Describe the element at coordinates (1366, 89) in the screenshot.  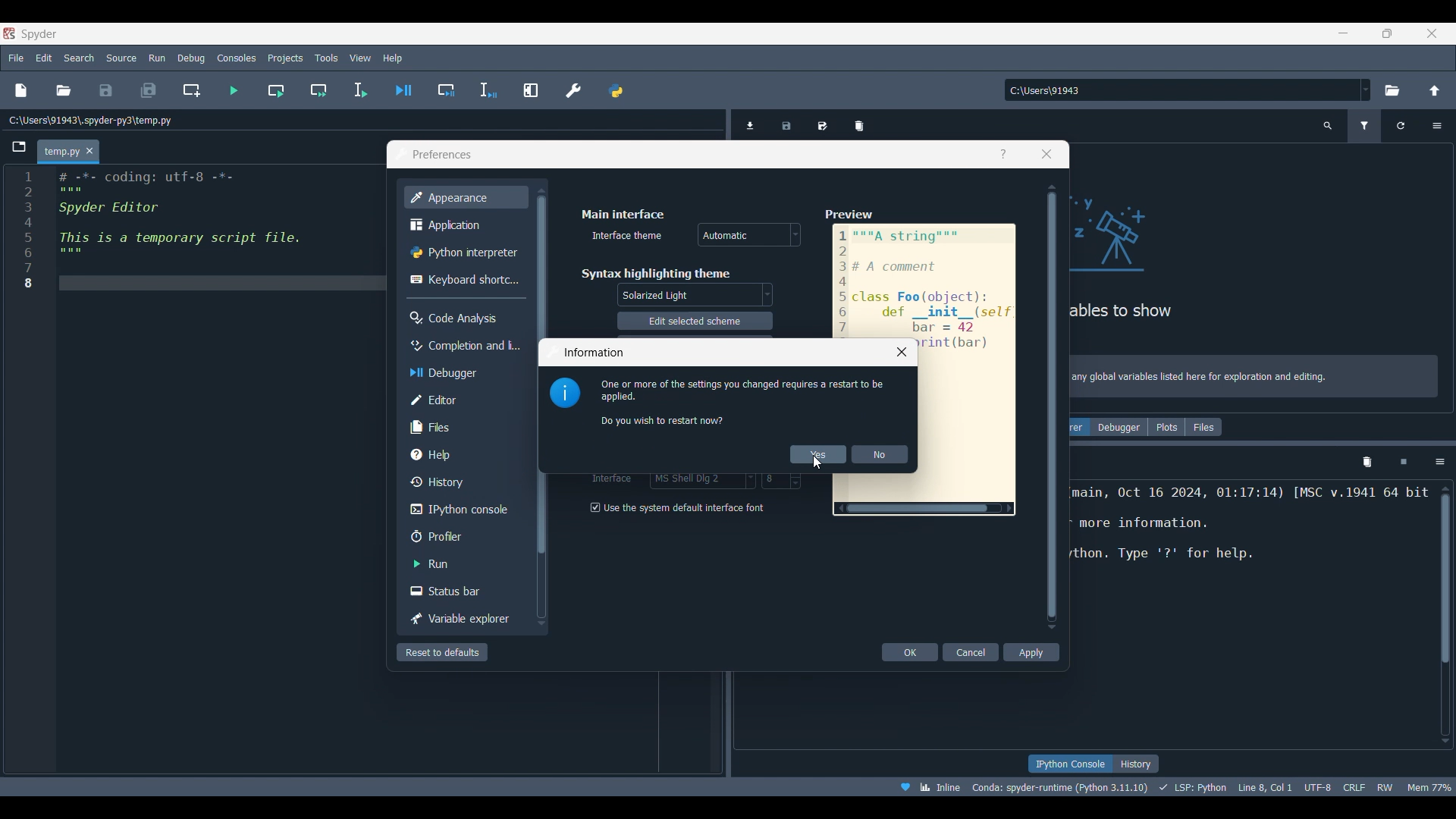
I see `Folder location options ` at that location.